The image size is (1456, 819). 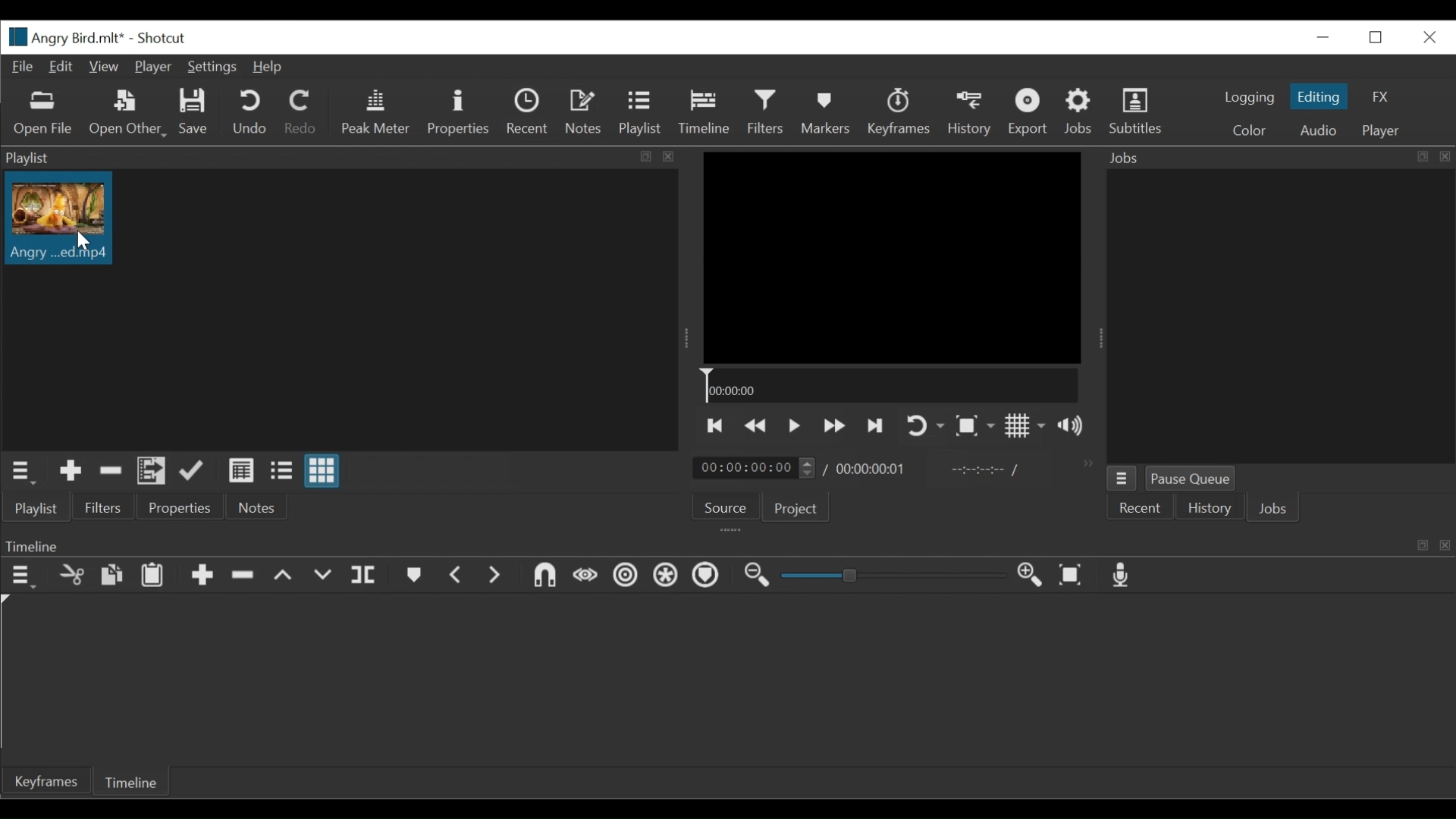 I want to click on Redo, so click(x=299, y=111).